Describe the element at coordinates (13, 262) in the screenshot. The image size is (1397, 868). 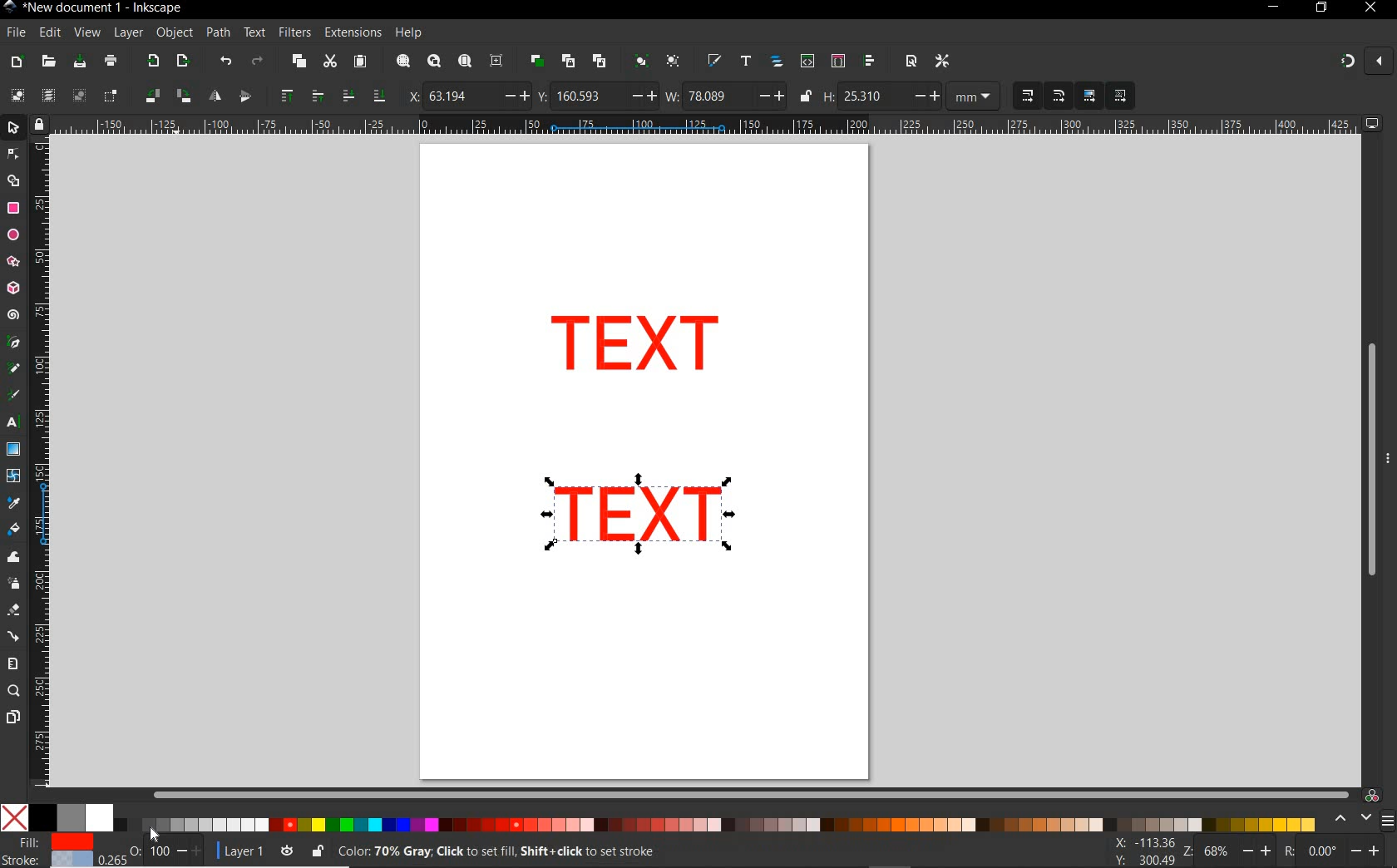
I see `star tool` at that location.